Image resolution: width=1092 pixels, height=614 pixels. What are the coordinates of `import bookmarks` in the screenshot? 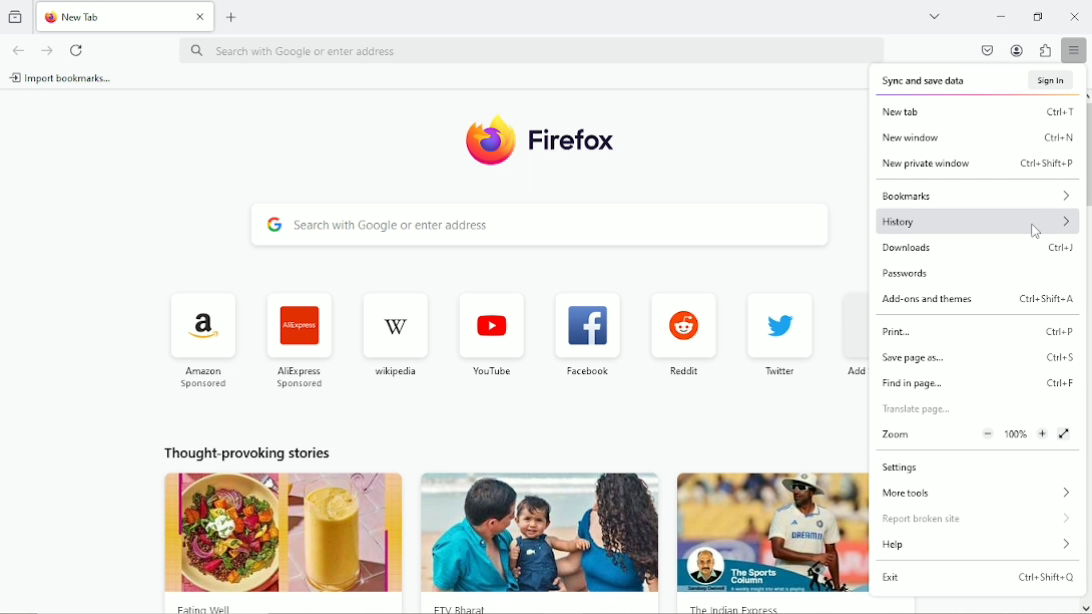 It's located at (67, 79).